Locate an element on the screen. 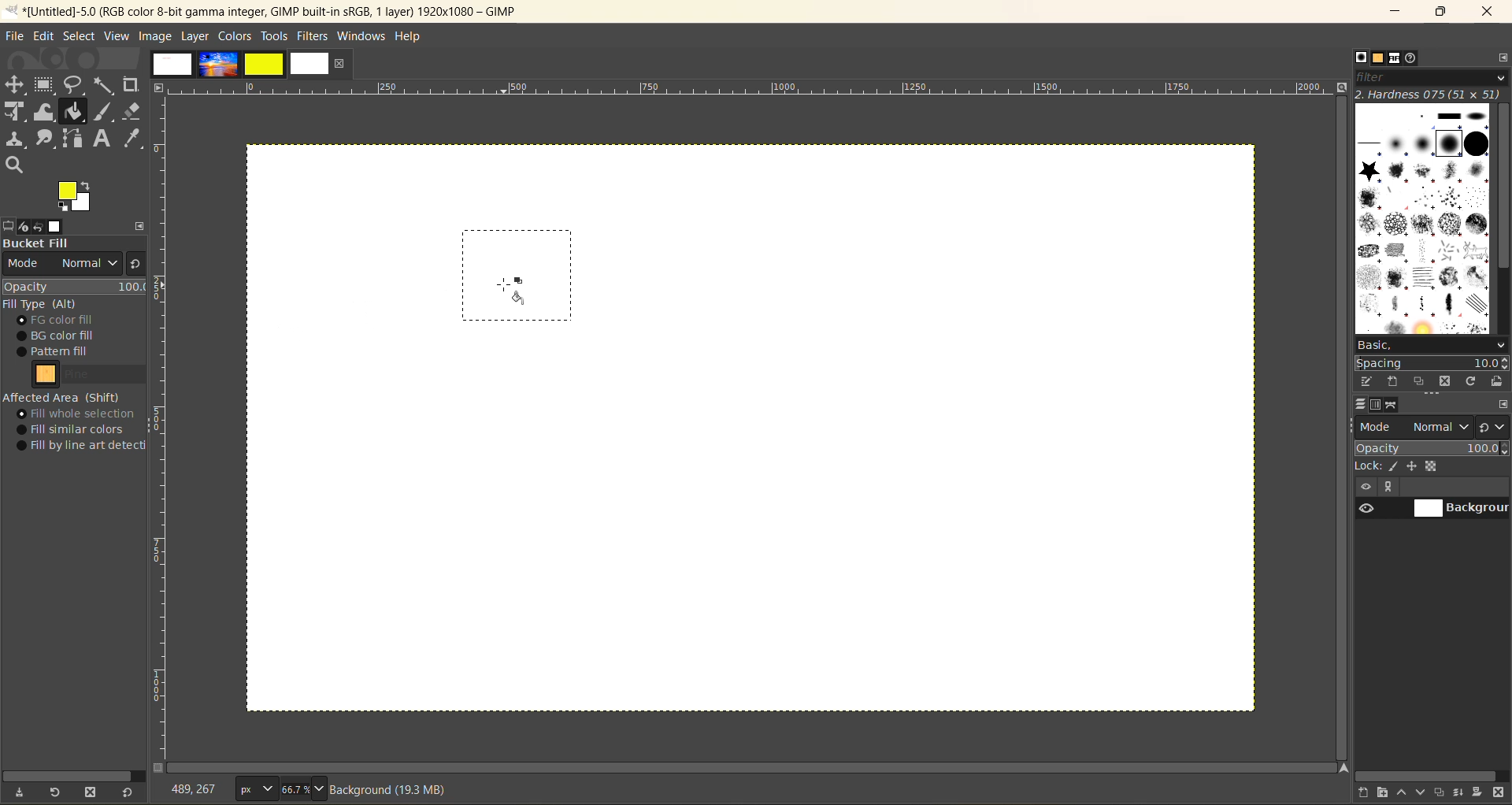 The image size is (1512, 805). reset to default values is located at coordinates (130, 793).